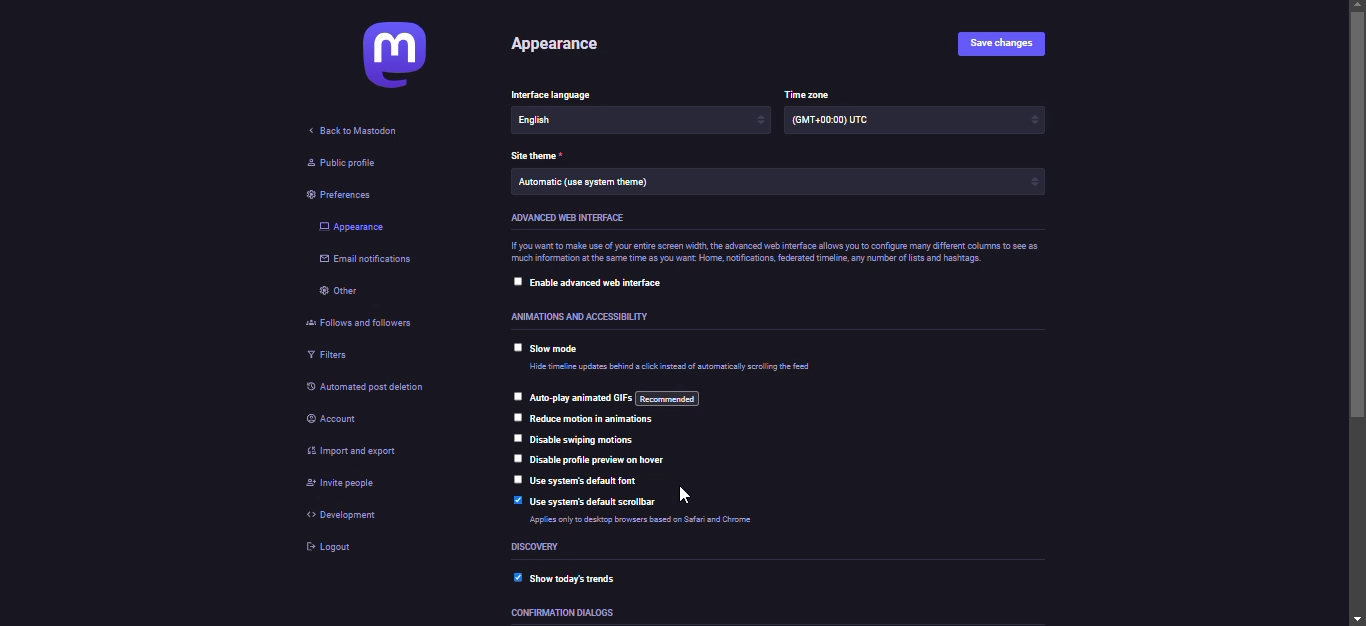  What do you see at coordinates (572, 315) in the screenshot?
I see `accessibility` at bounding box center [572, 315].